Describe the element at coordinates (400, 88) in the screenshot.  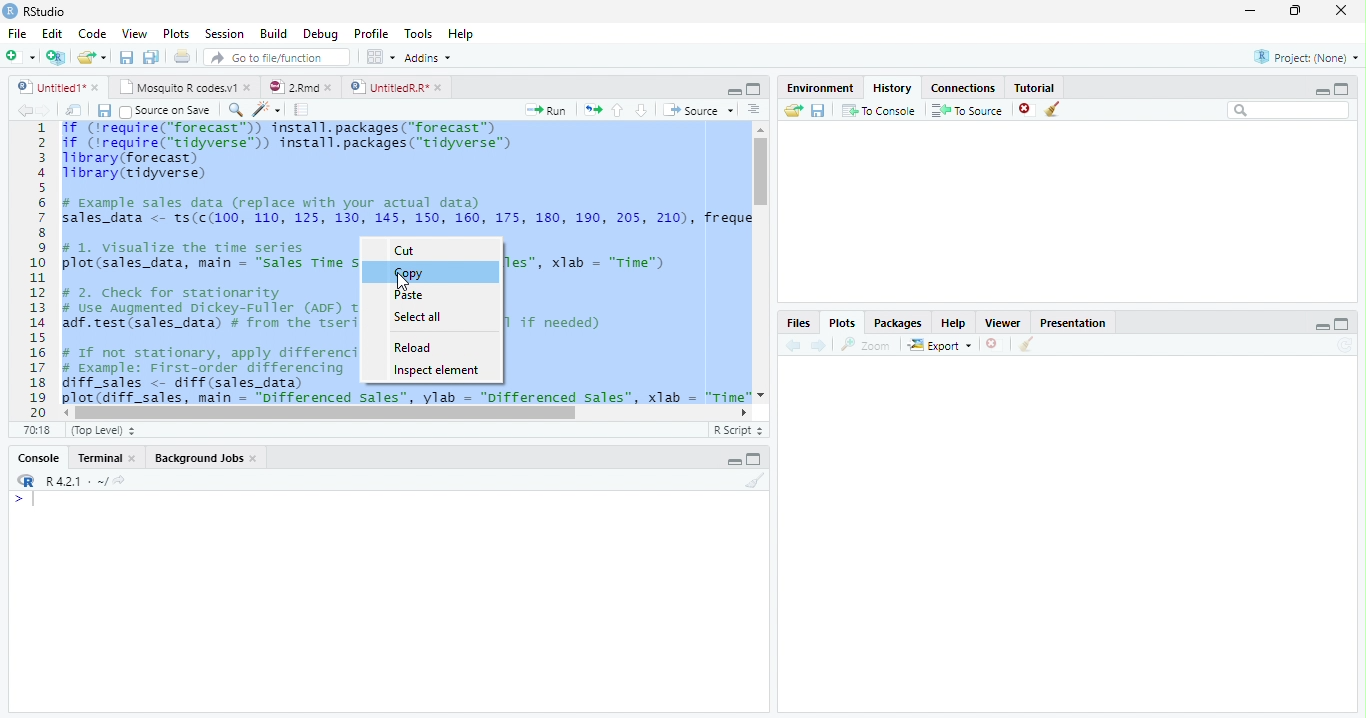
I see `UntitledR.R` at that location.